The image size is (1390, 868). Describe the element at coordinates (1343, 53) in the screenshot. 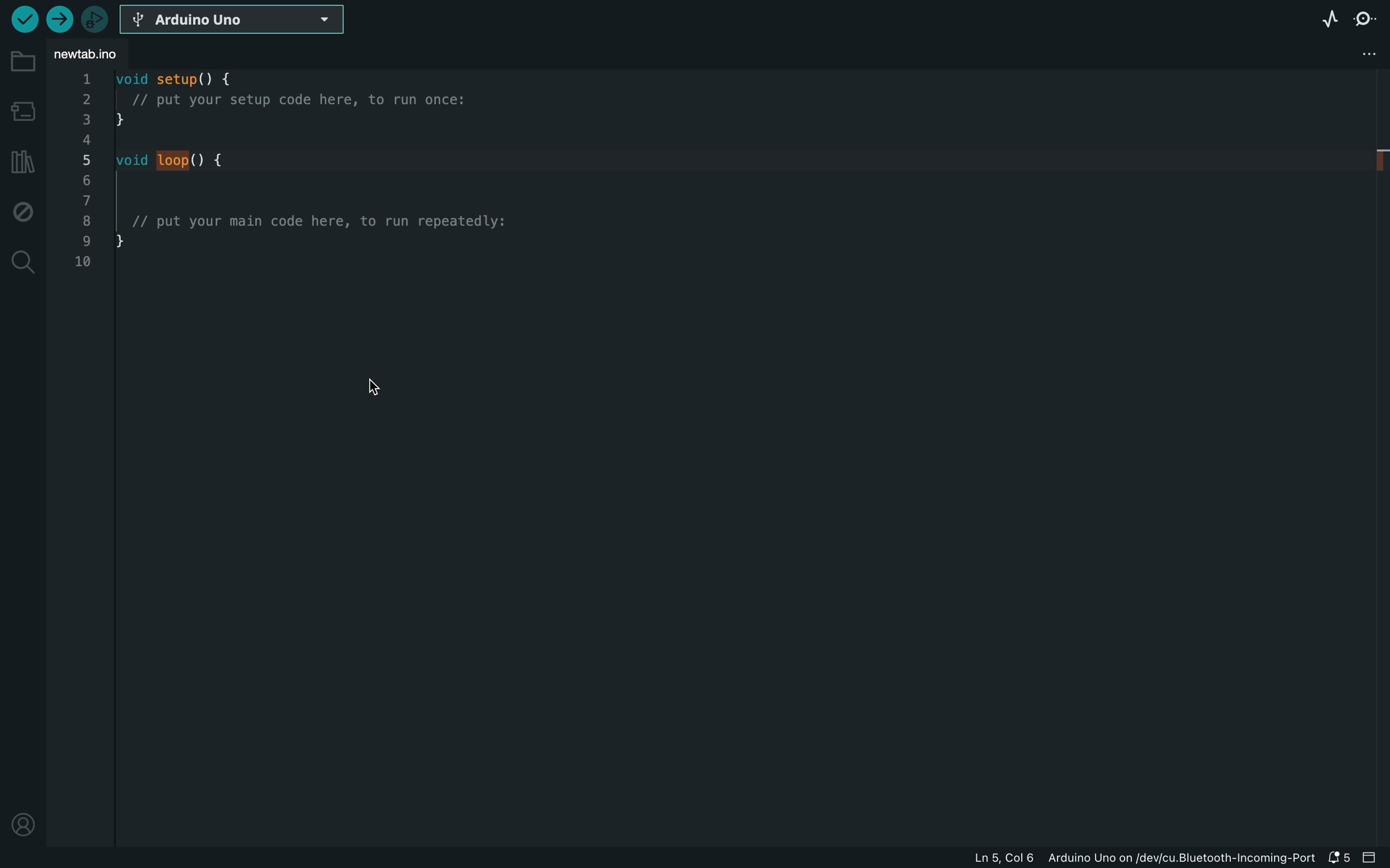

I see `file setting` at that location.